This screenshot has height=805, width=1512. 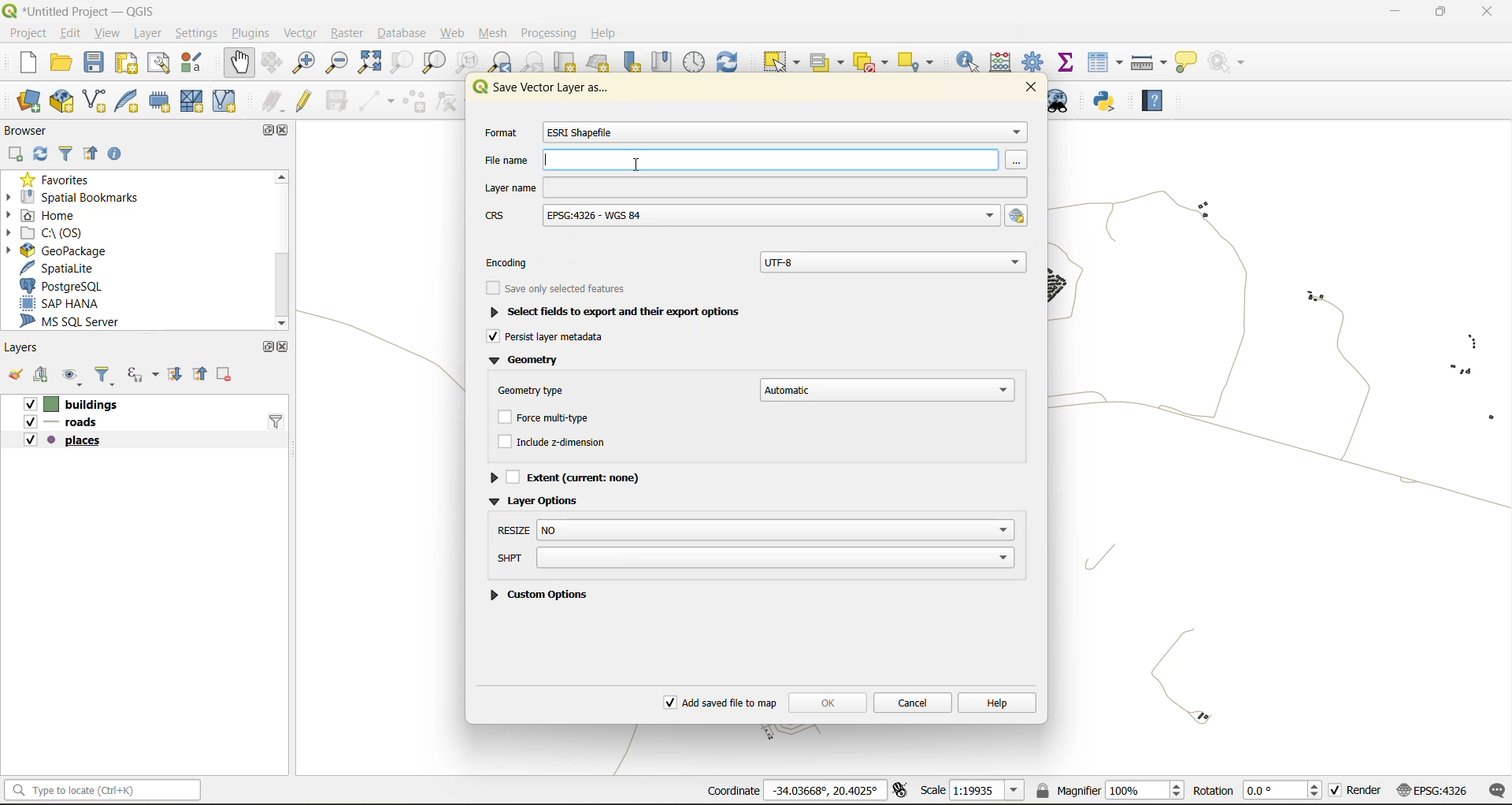 I want to click on coordinates, so click(x=795, y=790).